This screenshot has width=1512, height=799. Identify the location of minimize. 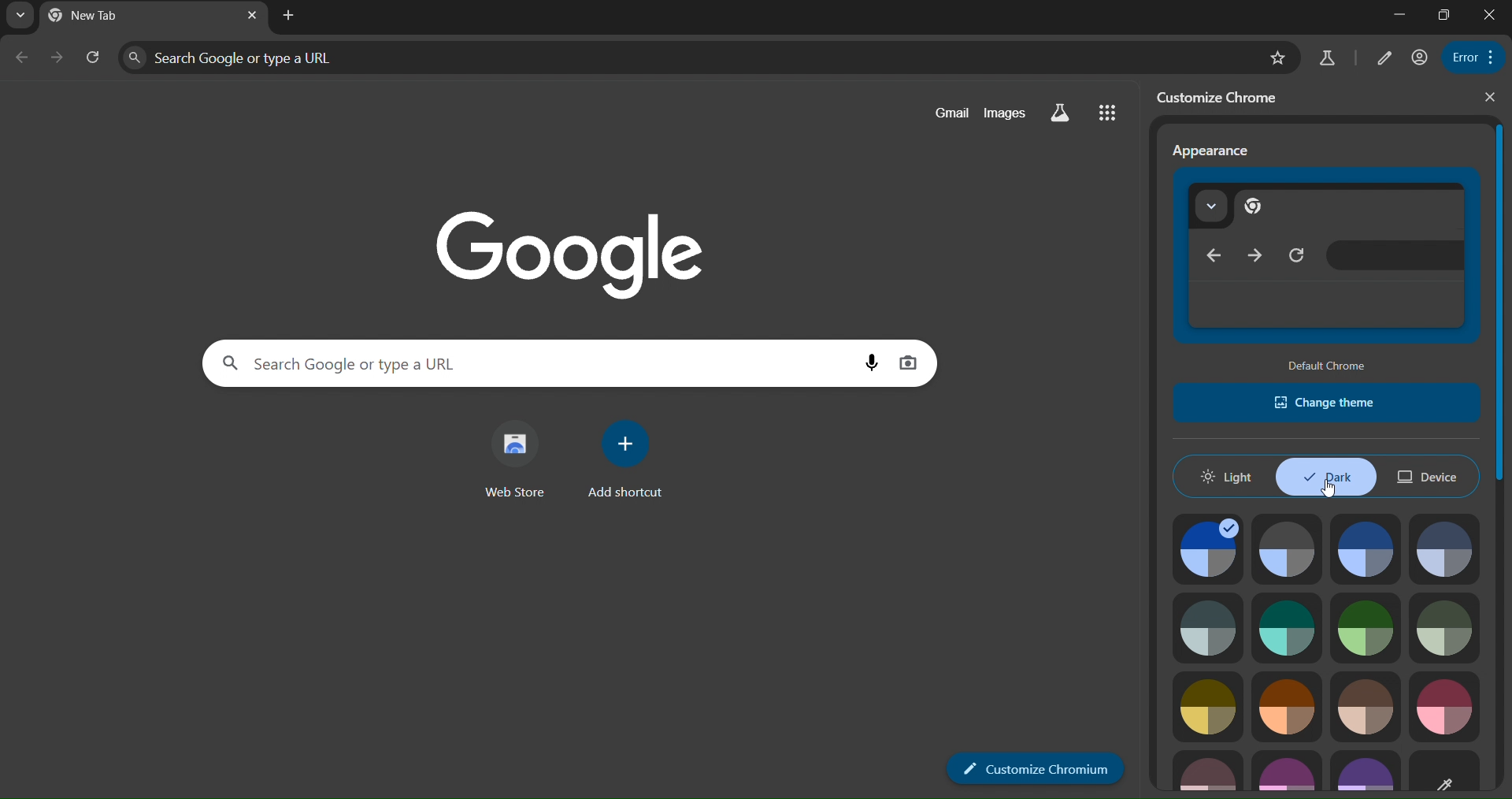
(1399, 16).